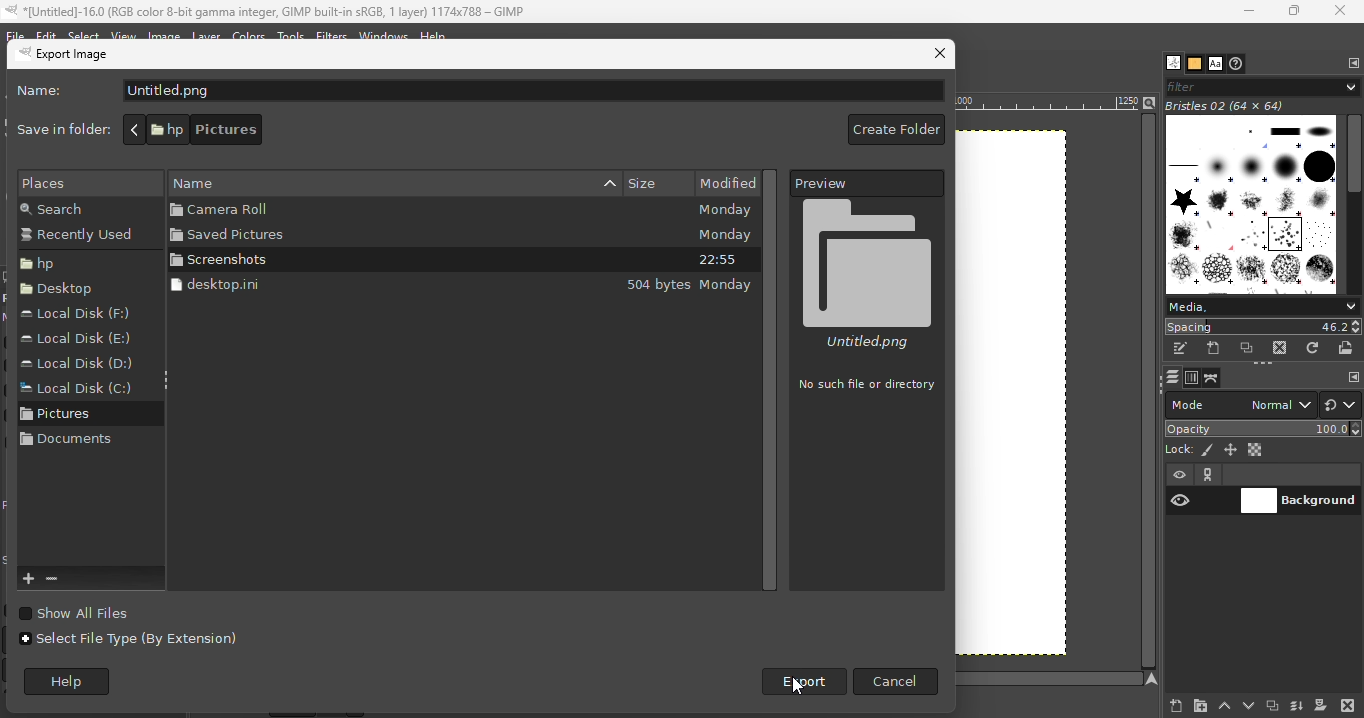  Describe the element at coordinates (165, 128) in the screenshot. I see `hp` at that location.